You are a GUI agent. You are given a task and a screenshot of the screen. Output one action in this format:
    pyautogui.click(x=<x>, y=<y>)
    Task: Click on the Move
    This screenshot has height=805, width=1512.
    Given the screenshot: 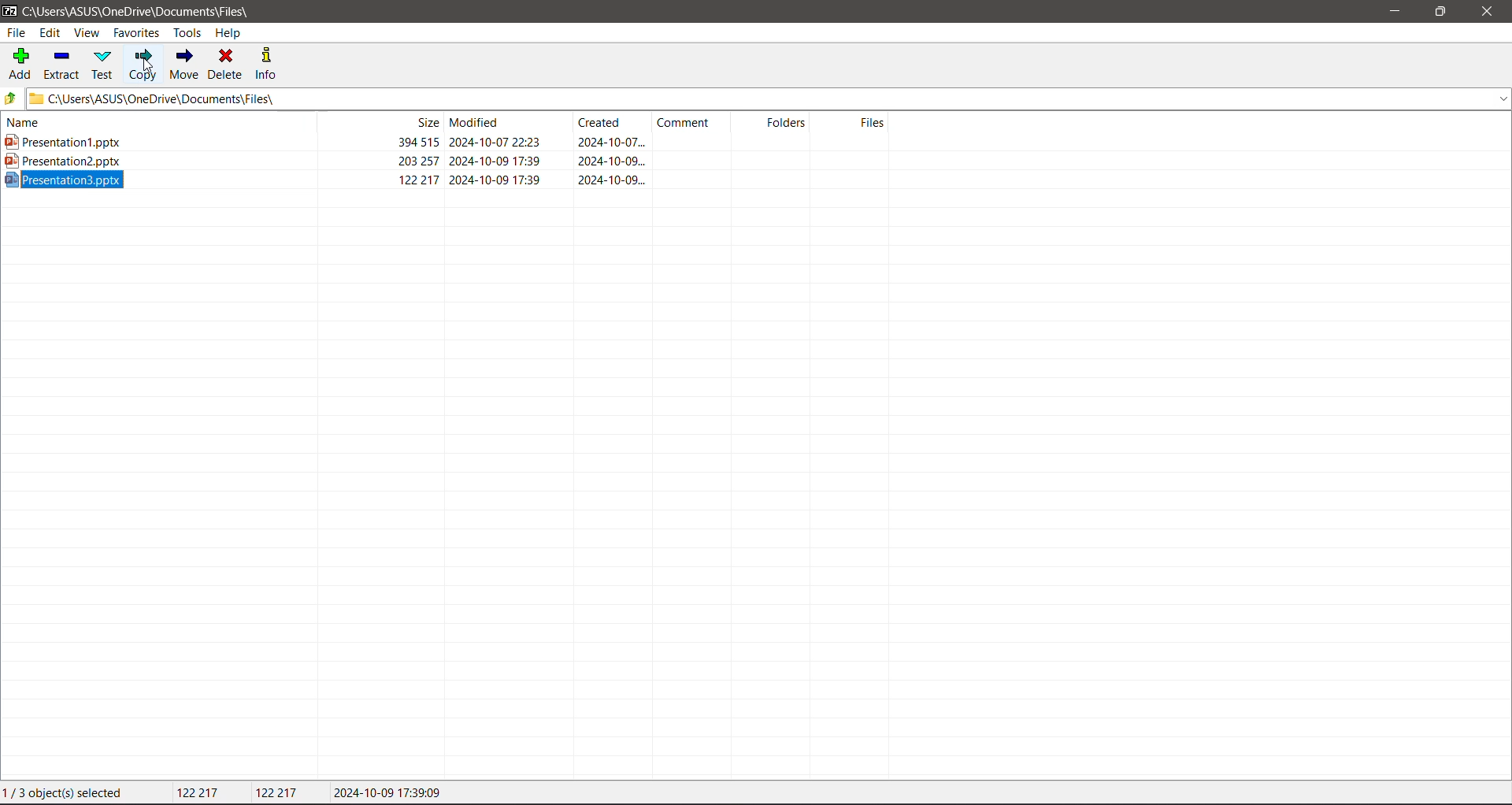 What is the action you would take?
    pyautogui.click(x=184, y=62)
    